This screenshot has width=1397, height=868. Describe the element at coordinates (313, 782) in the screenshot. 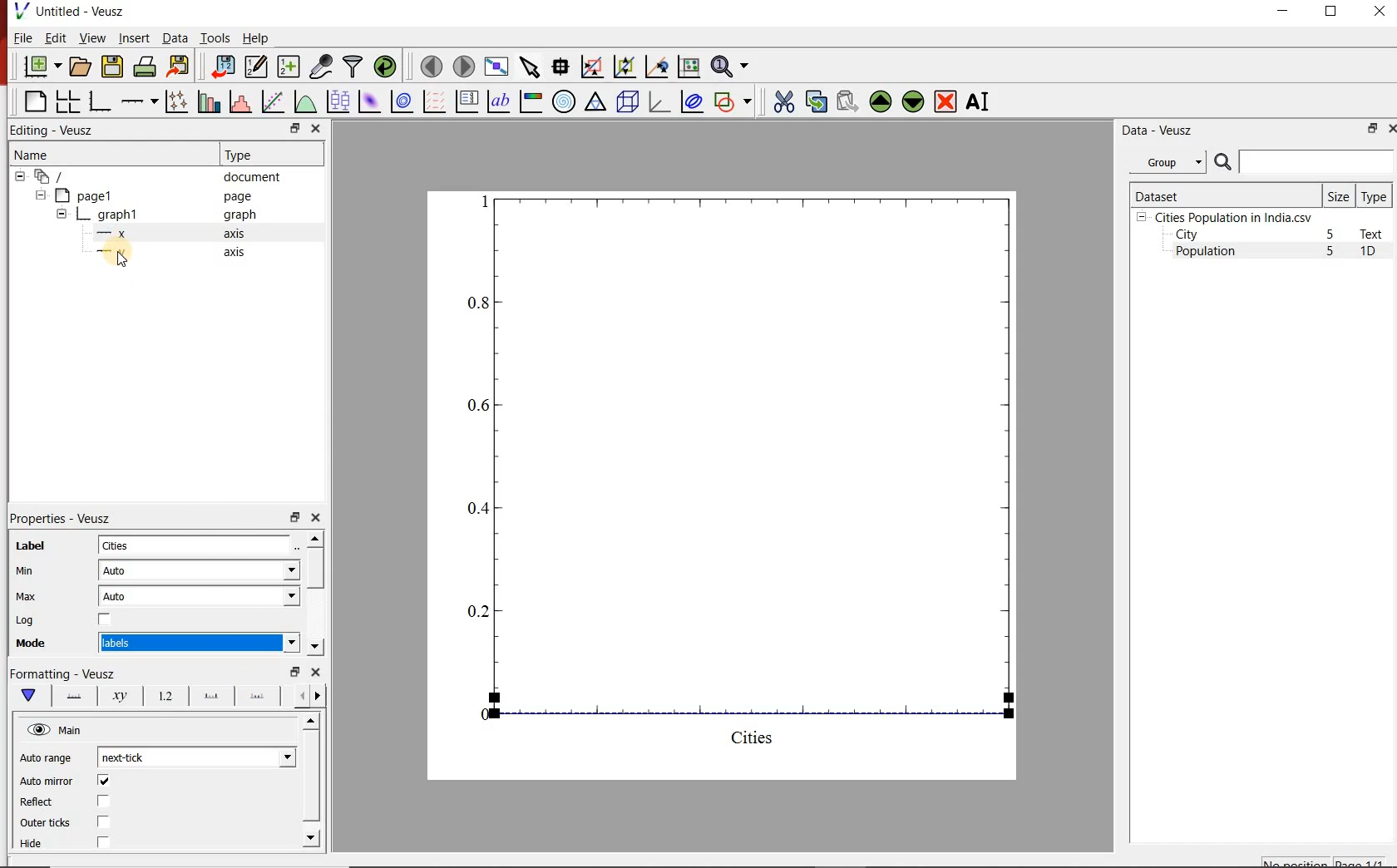

I see `scrollbar` at that location.